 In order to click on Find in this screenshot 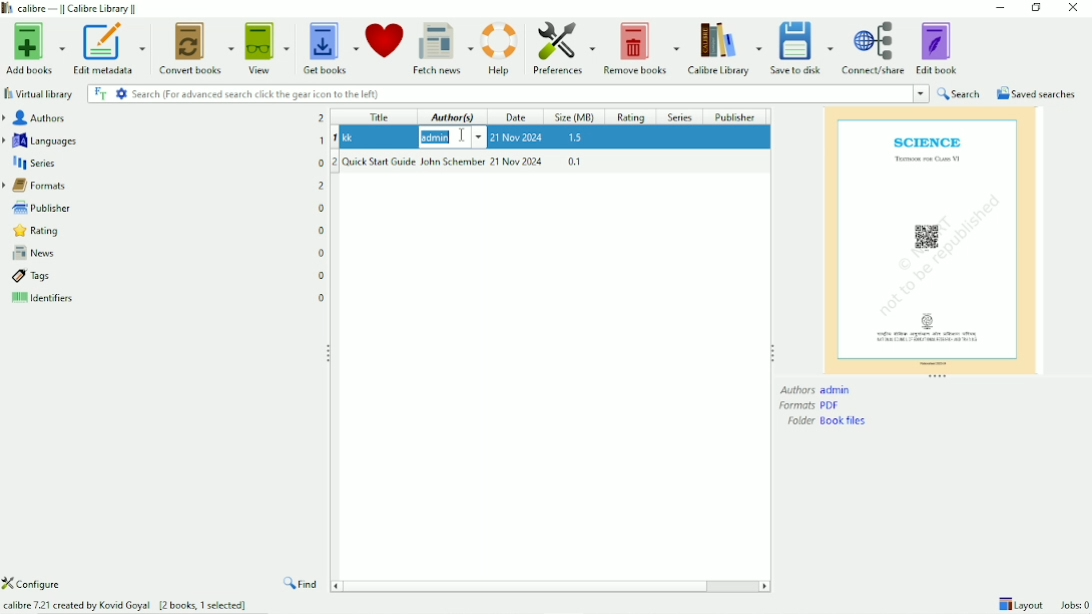, I will do `click(300, 585)`.